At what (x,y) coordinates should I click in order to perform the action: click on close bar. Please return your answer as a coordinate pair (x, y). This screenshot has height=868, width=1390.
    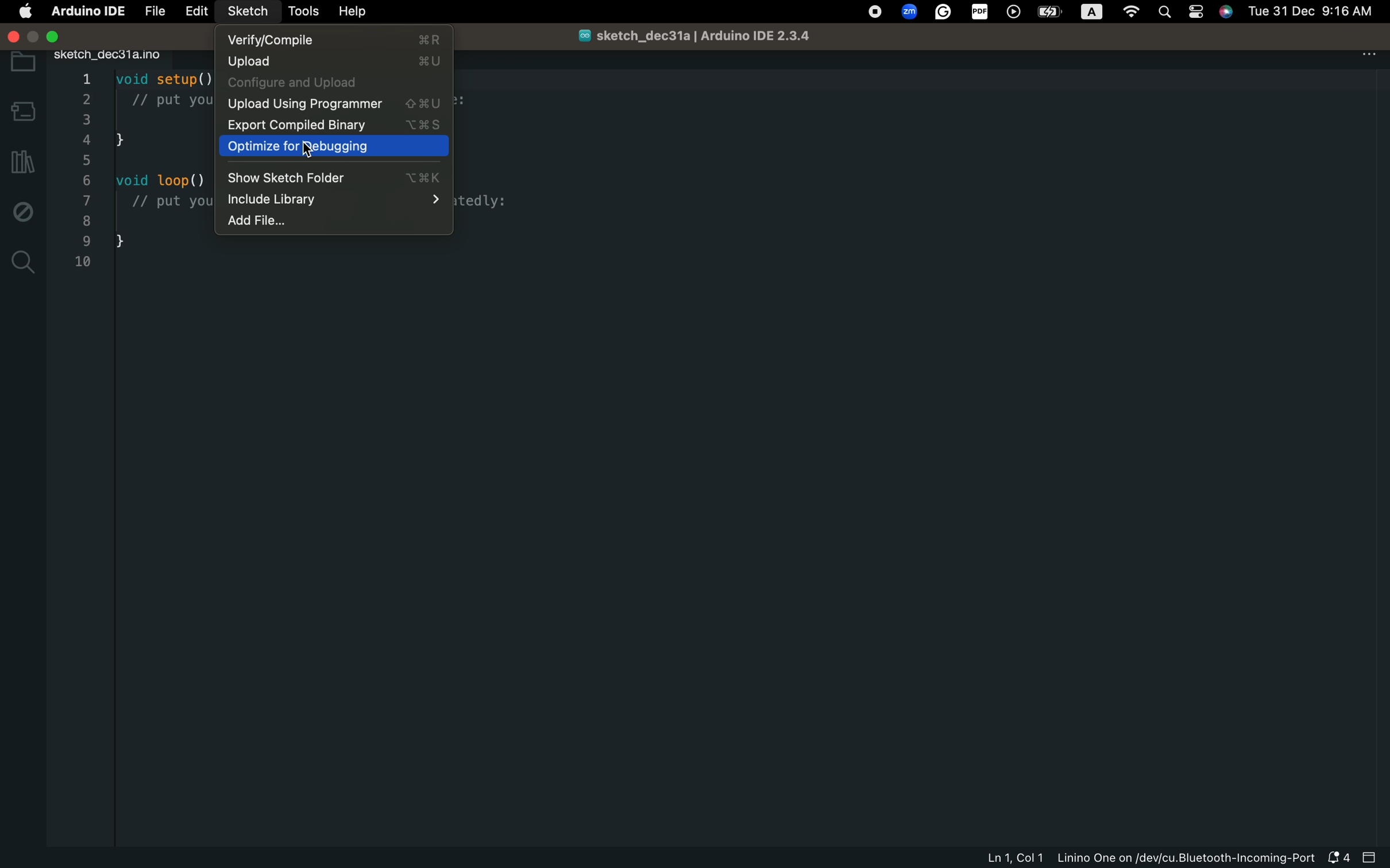
    Looking at the image, I should click on (1373, 857).